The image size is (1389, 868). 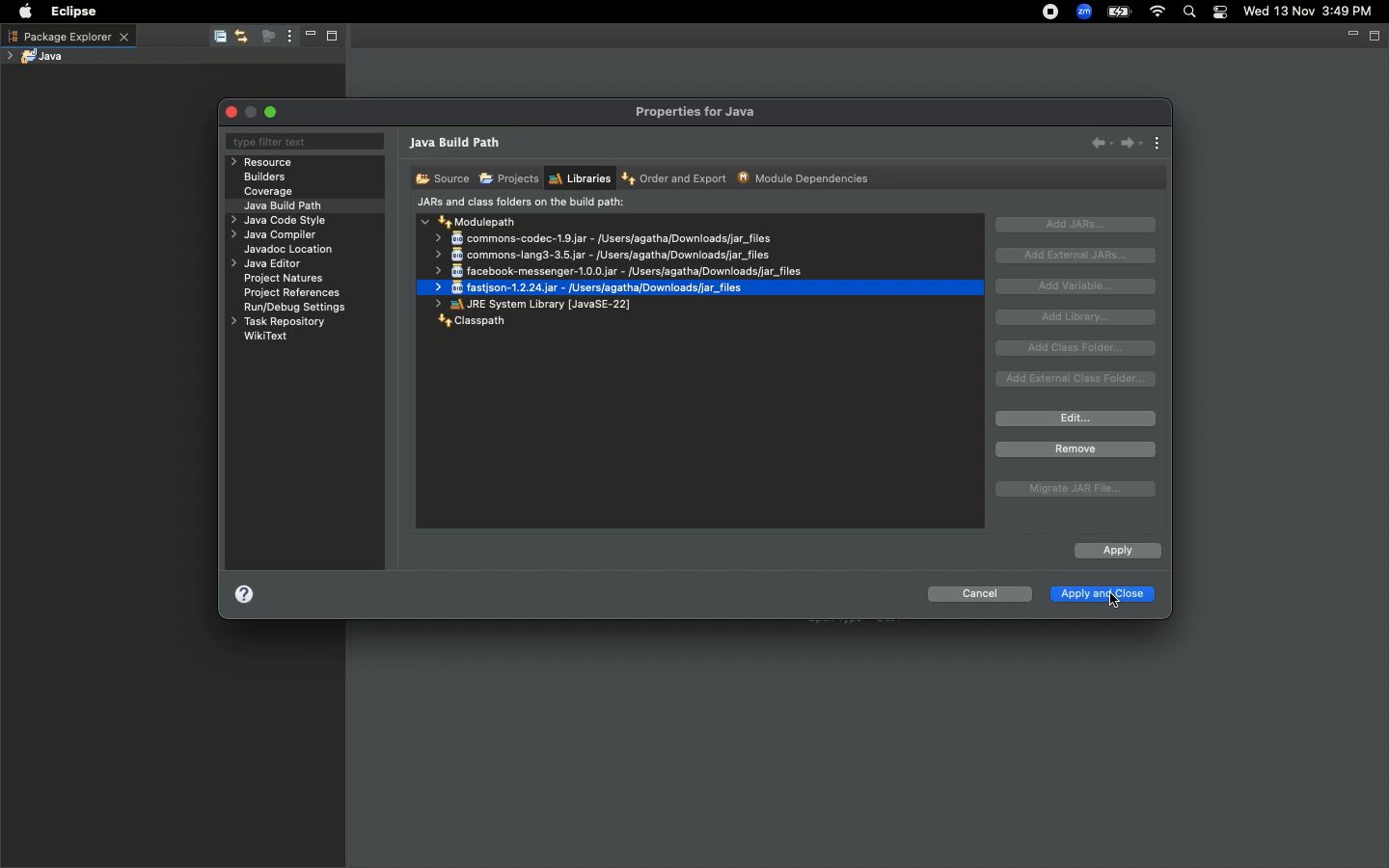 I want to click on Collapse all, so click(x=218, y=38).